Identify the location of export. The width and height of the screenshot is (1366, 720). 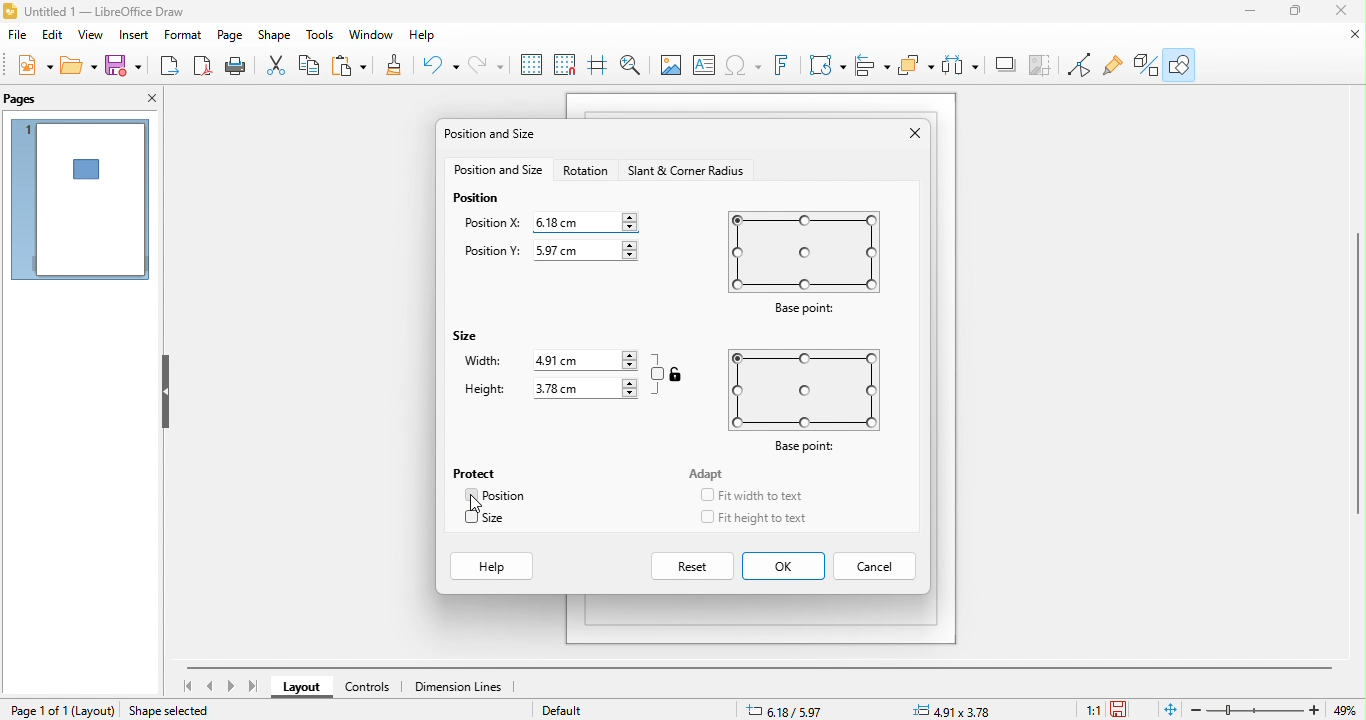
(167, 66).